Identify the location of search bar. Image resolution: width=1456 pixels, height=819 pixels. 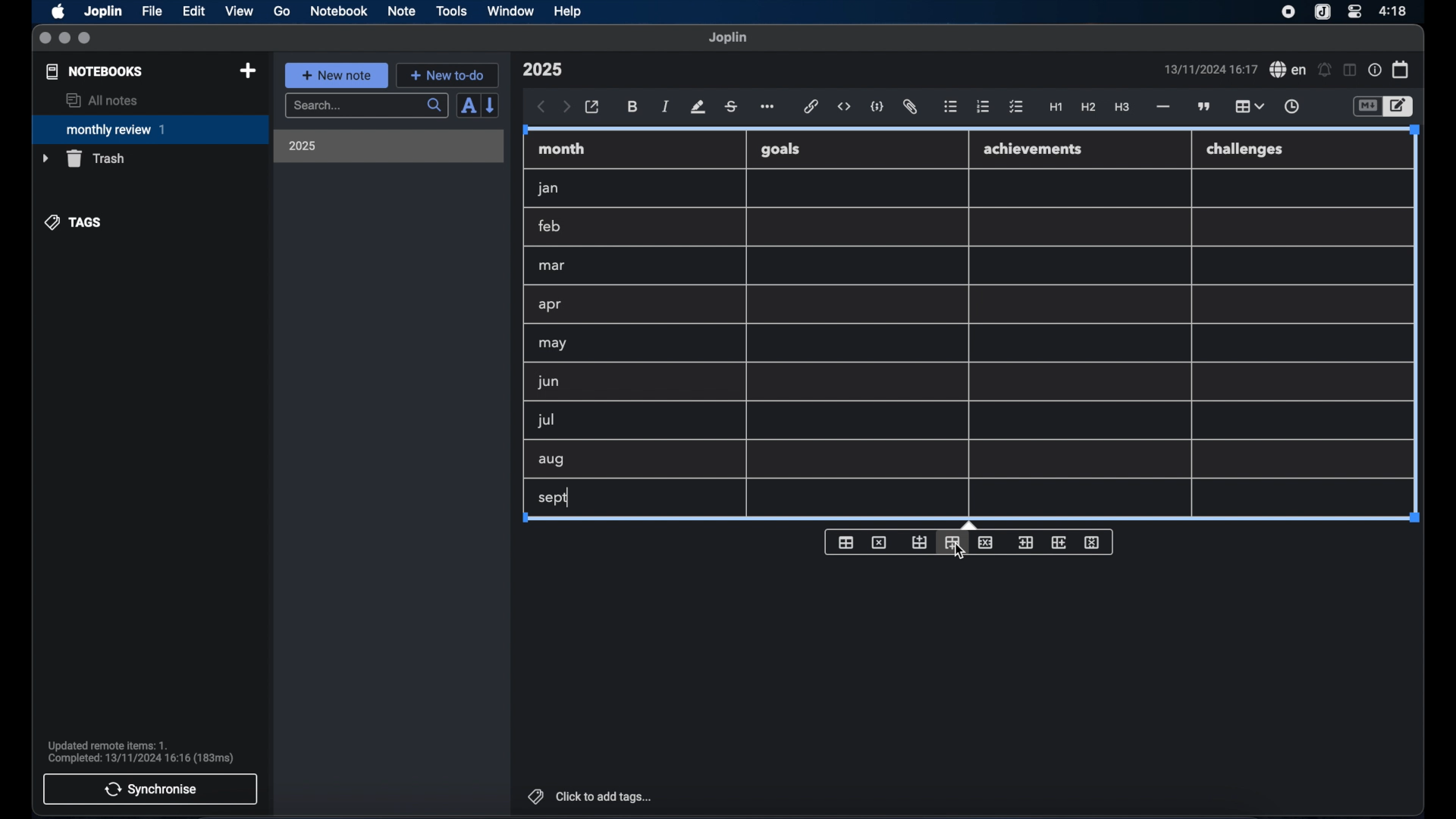
(366, 107).